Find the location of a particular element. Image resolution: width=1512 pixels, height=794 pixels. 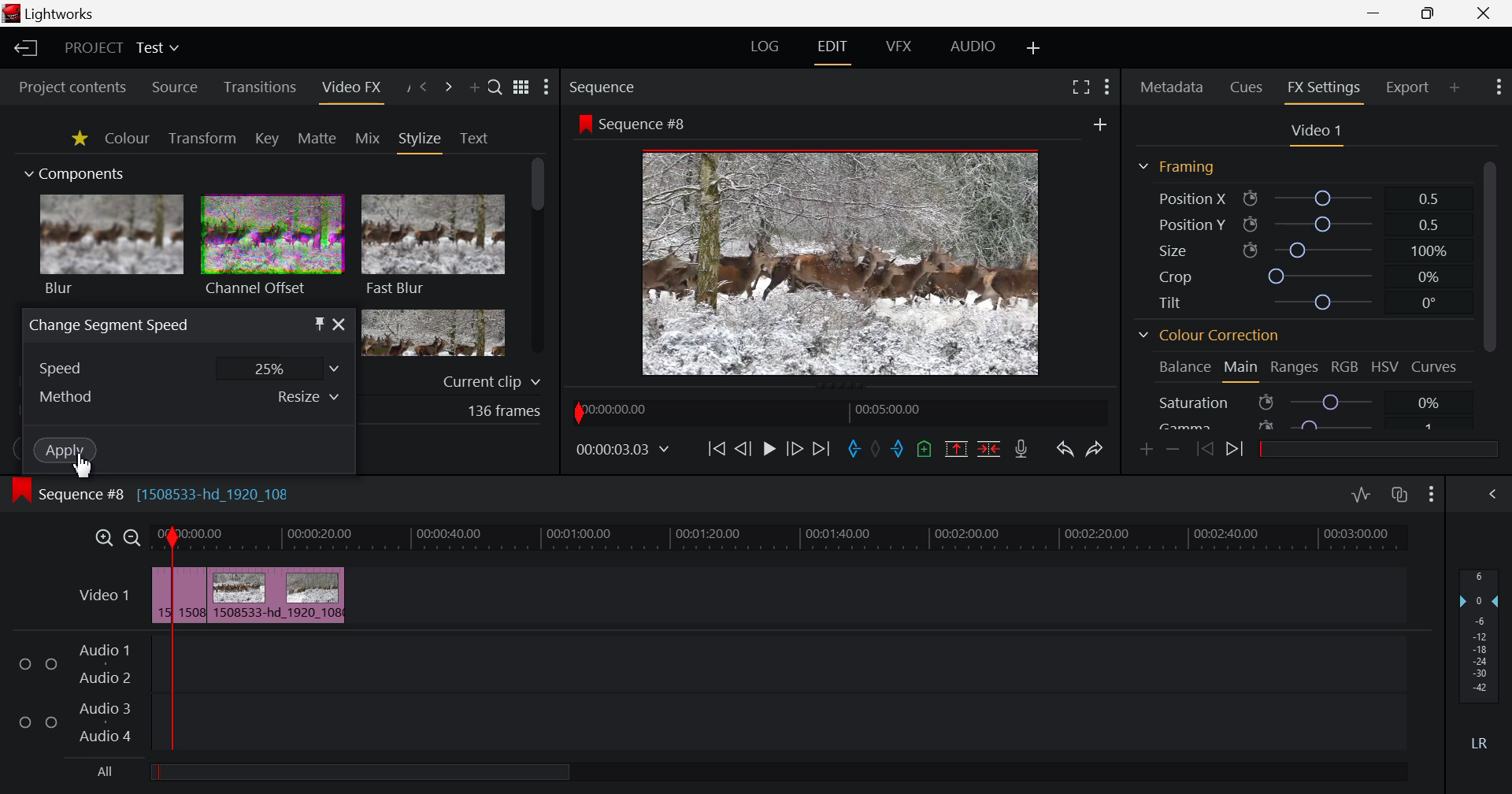

Minimize is located at coordinates (1429, 14).